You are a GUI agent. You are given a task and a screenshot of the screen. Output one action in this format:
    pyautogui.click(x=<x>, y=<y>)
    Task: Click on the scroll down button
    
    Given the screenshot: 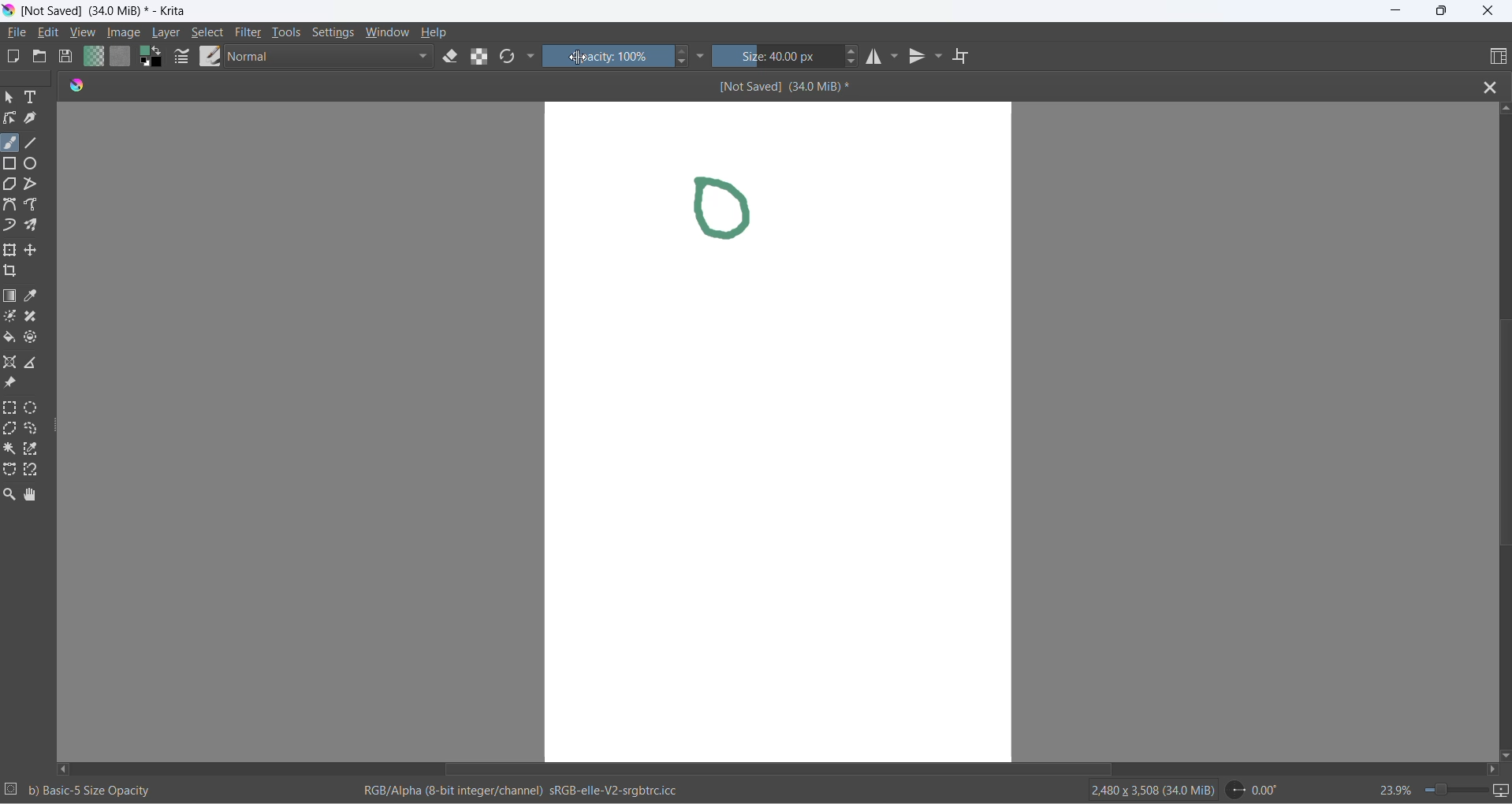 What is the action you would take?
    pyautogui.click(x=1503, y=754)
    